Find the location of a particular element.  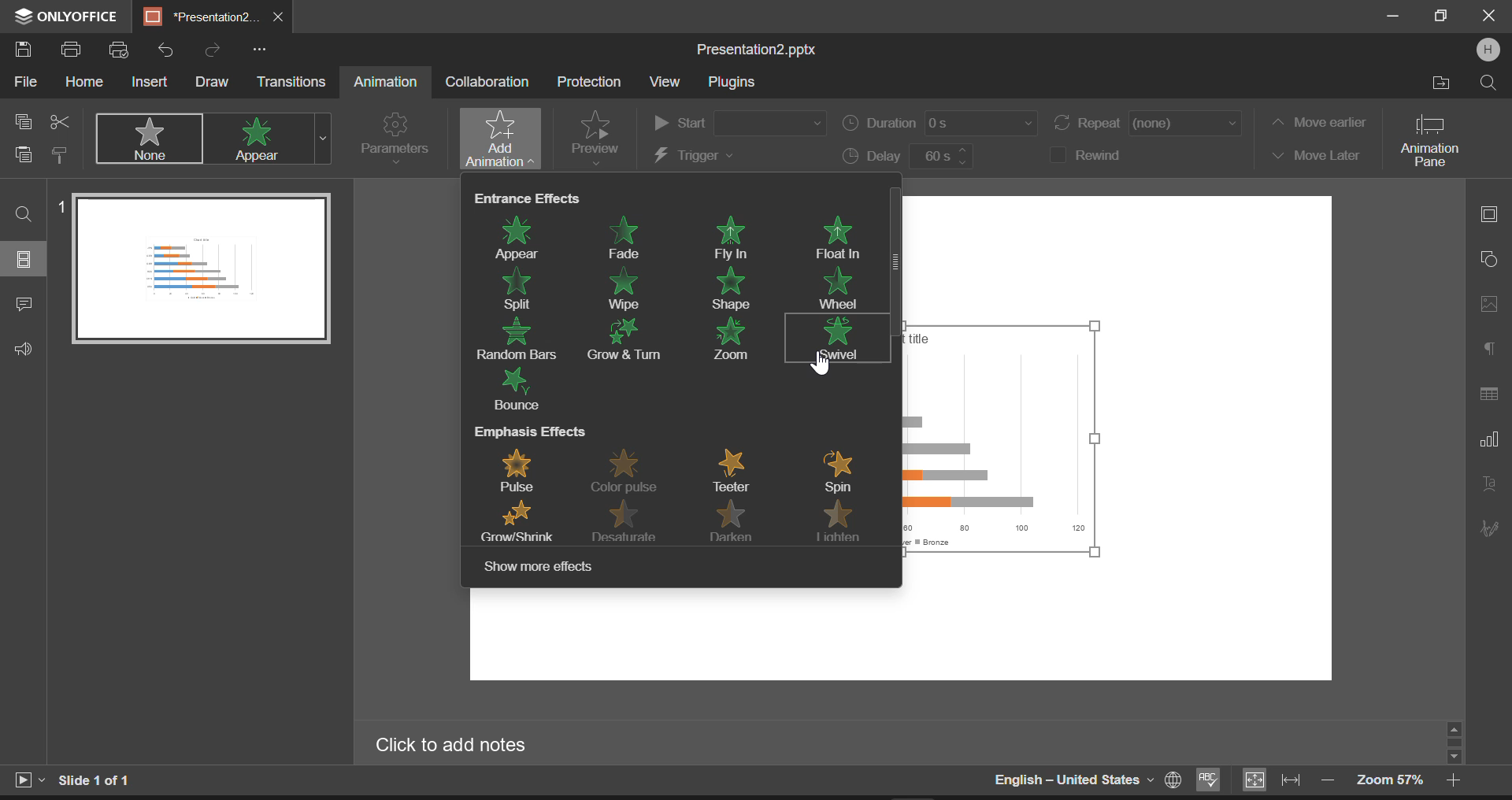

Picture Settings is located at coordinates (1485, 303).